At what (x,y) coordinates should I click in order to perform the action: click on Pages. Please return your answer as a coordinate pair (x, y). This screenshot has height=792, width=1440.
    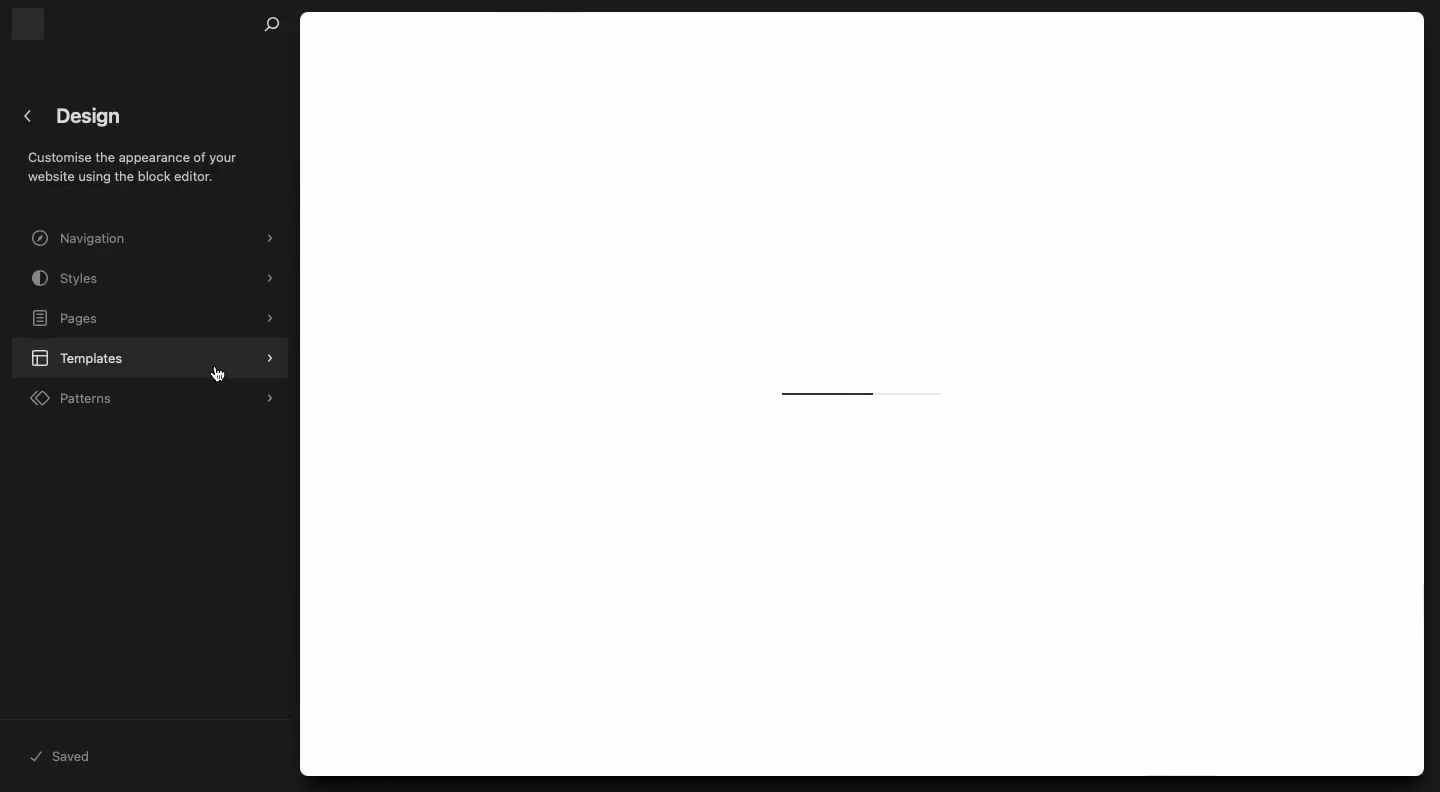
    Looking at the image, I should click on (152, 318).